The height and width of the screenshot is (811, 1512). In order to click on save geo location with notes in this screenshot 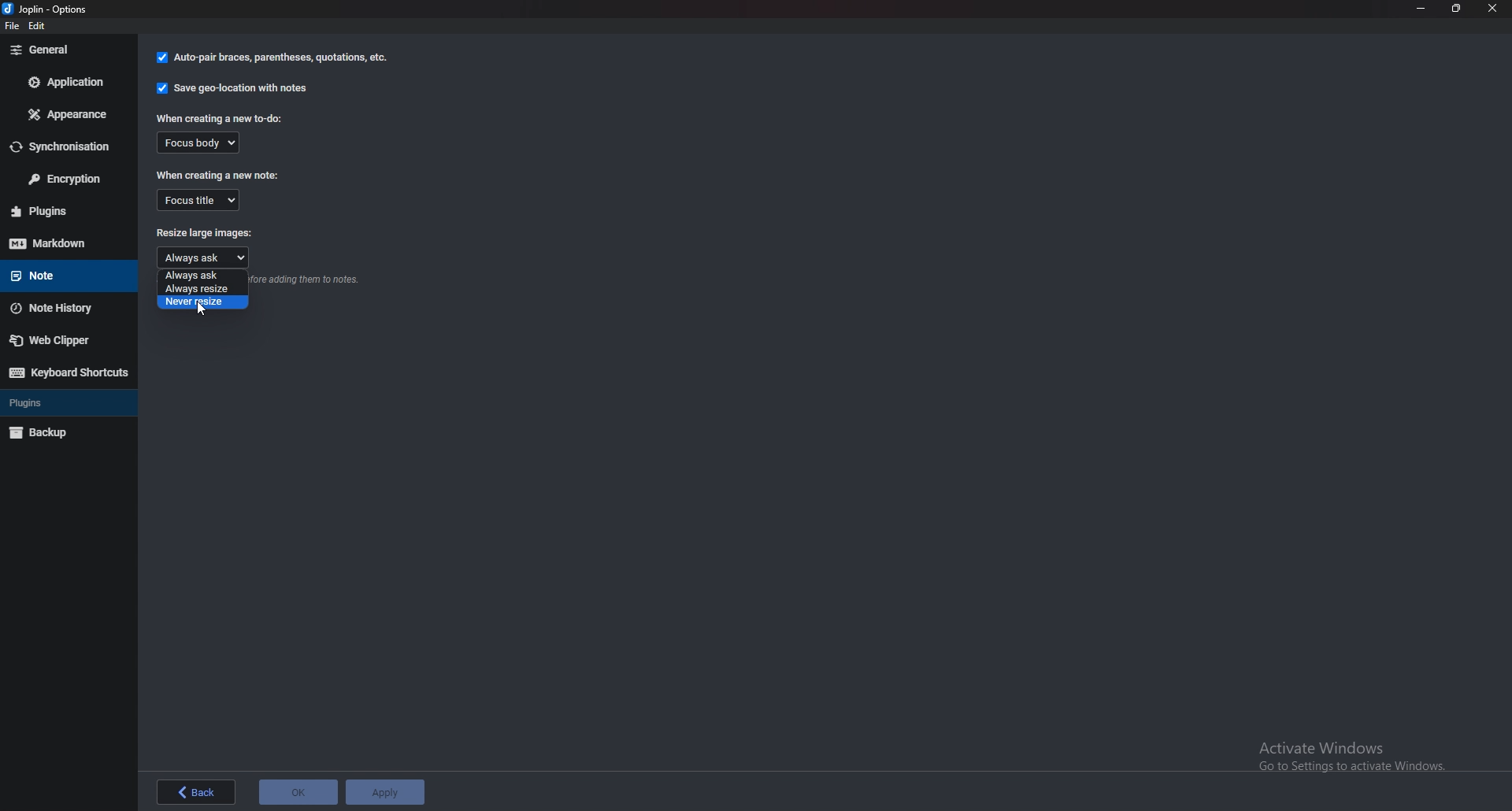, I will do `click(232, 91)`.